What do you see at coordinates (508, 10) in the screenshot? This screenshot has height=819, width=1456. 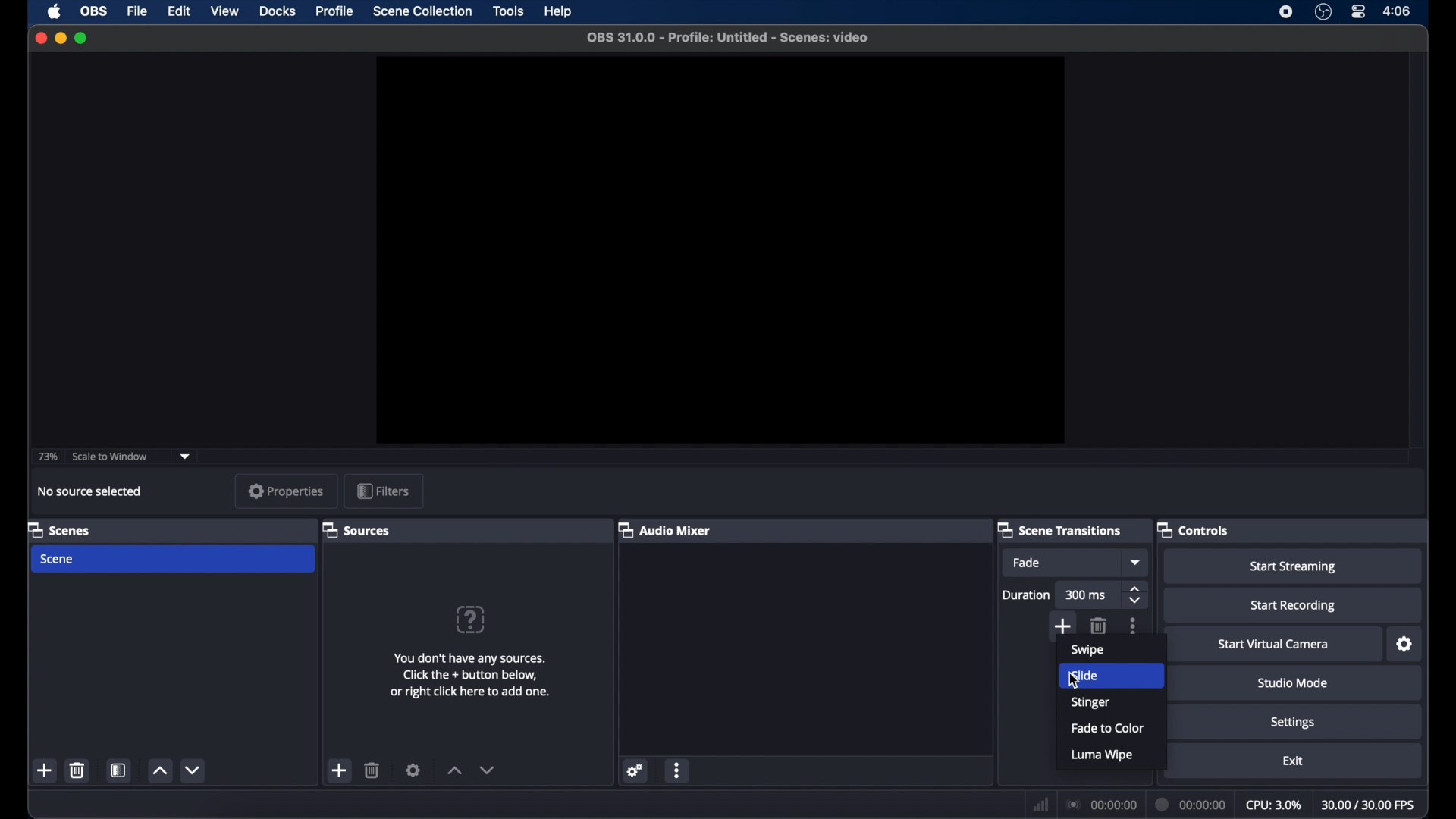 I see `tools` at bounding box center [508, 10].